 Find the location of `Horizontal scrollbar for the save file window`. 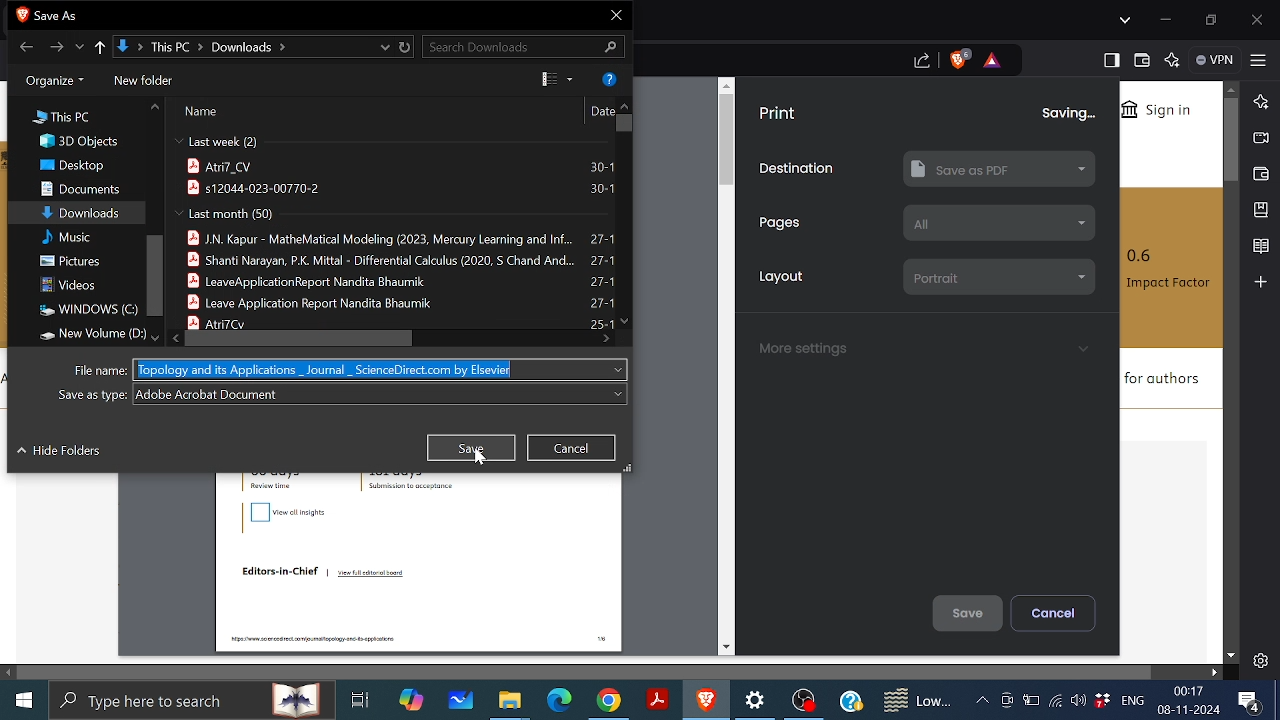

Horizontal scrollbar for the save file window is located at coordinates (296, 339).